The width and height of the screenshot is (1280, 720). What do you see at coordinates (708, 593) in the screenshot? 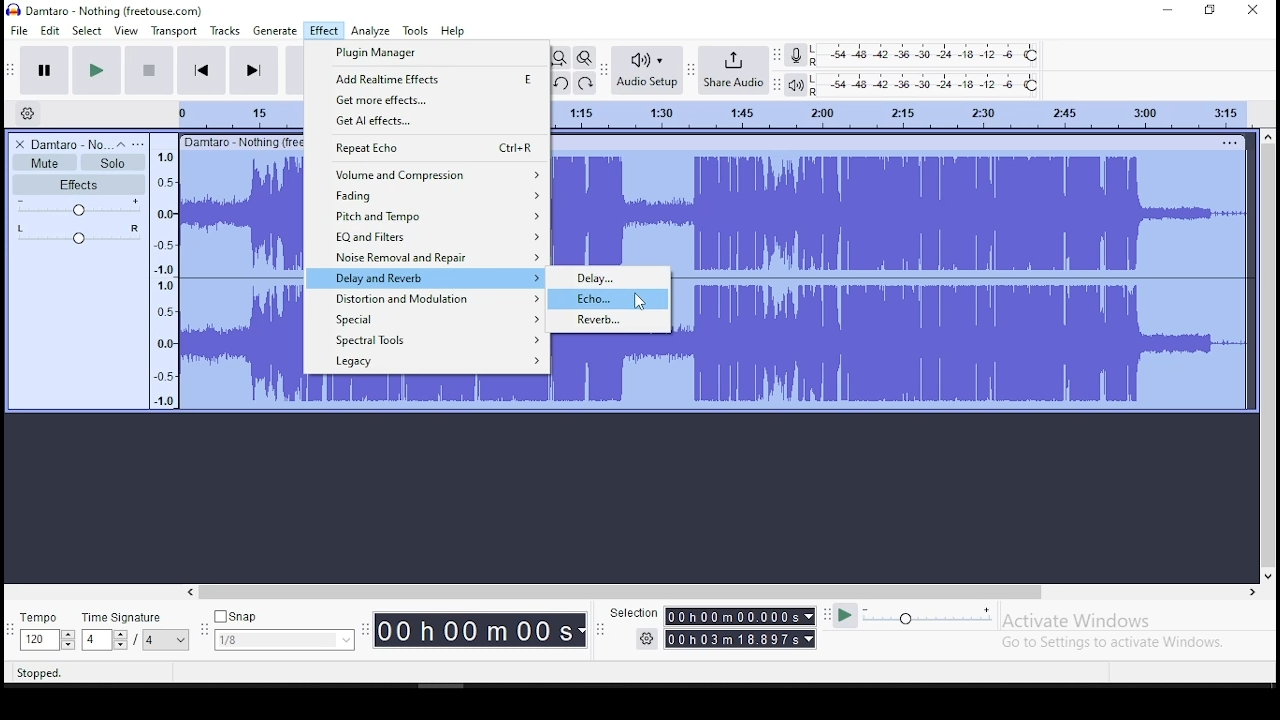
I see `Horizontal scrollbar` at bounding box center [708, 593].